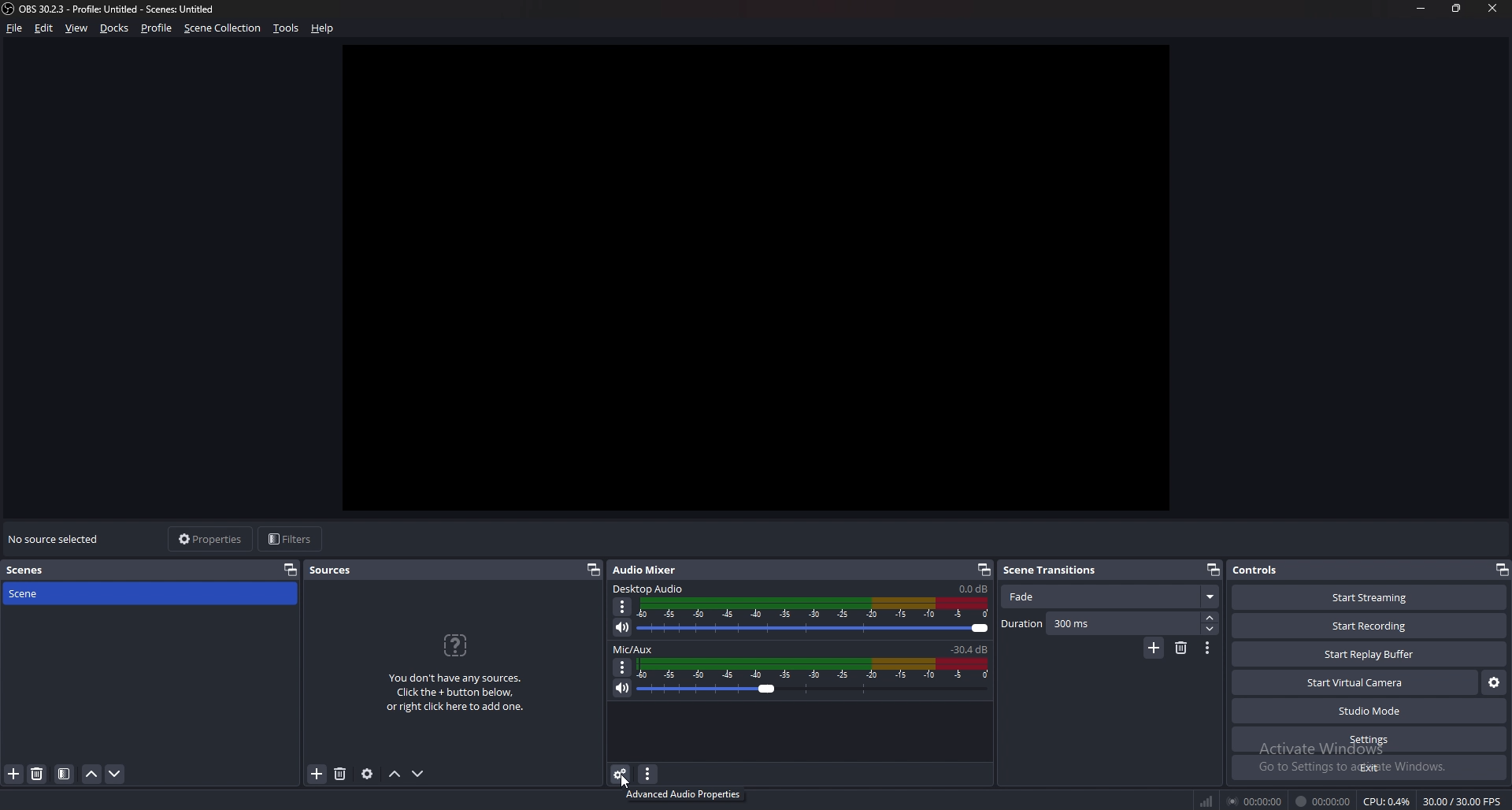 This screenshot has width=1512, height=810. I want to click on mic/aux volume, so click(972, 648).